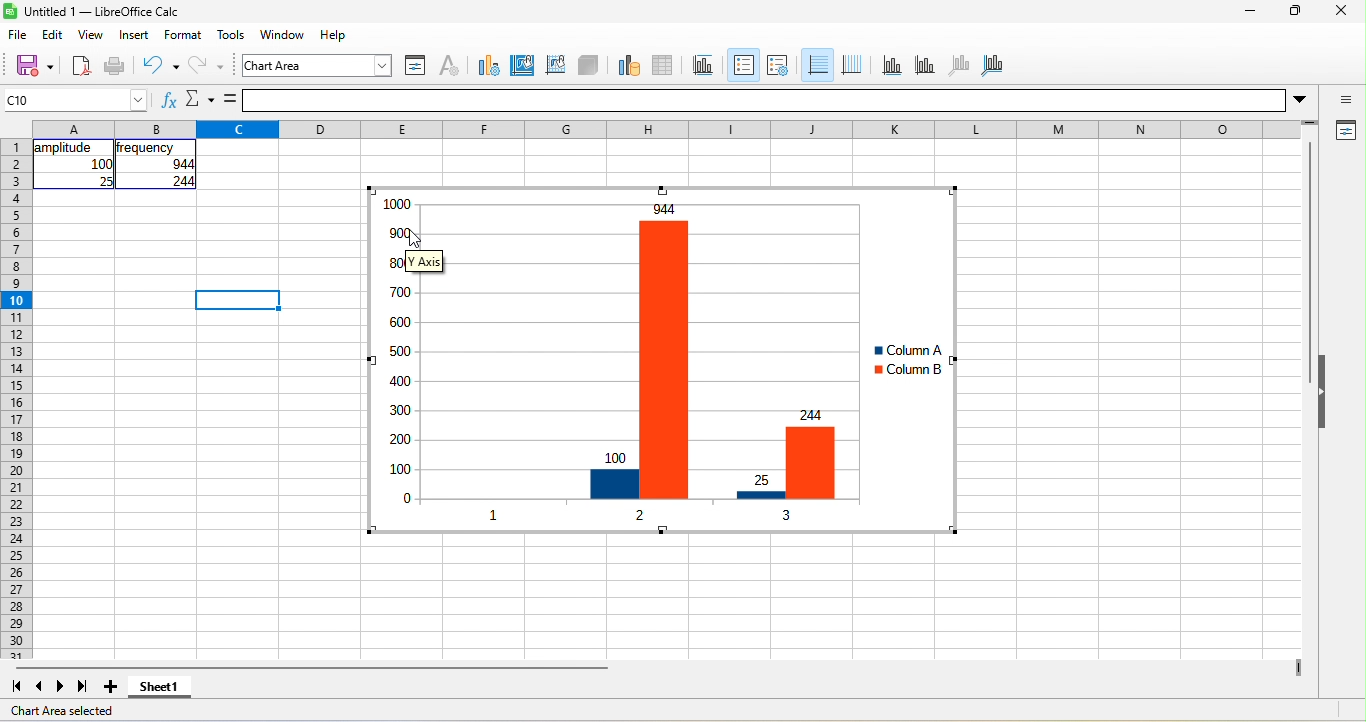 The width and height of the screenshot is (1366, 722). Describe the element at coordinates (1346, 101) in the screenshot. I see `sidebar settings` at that location.